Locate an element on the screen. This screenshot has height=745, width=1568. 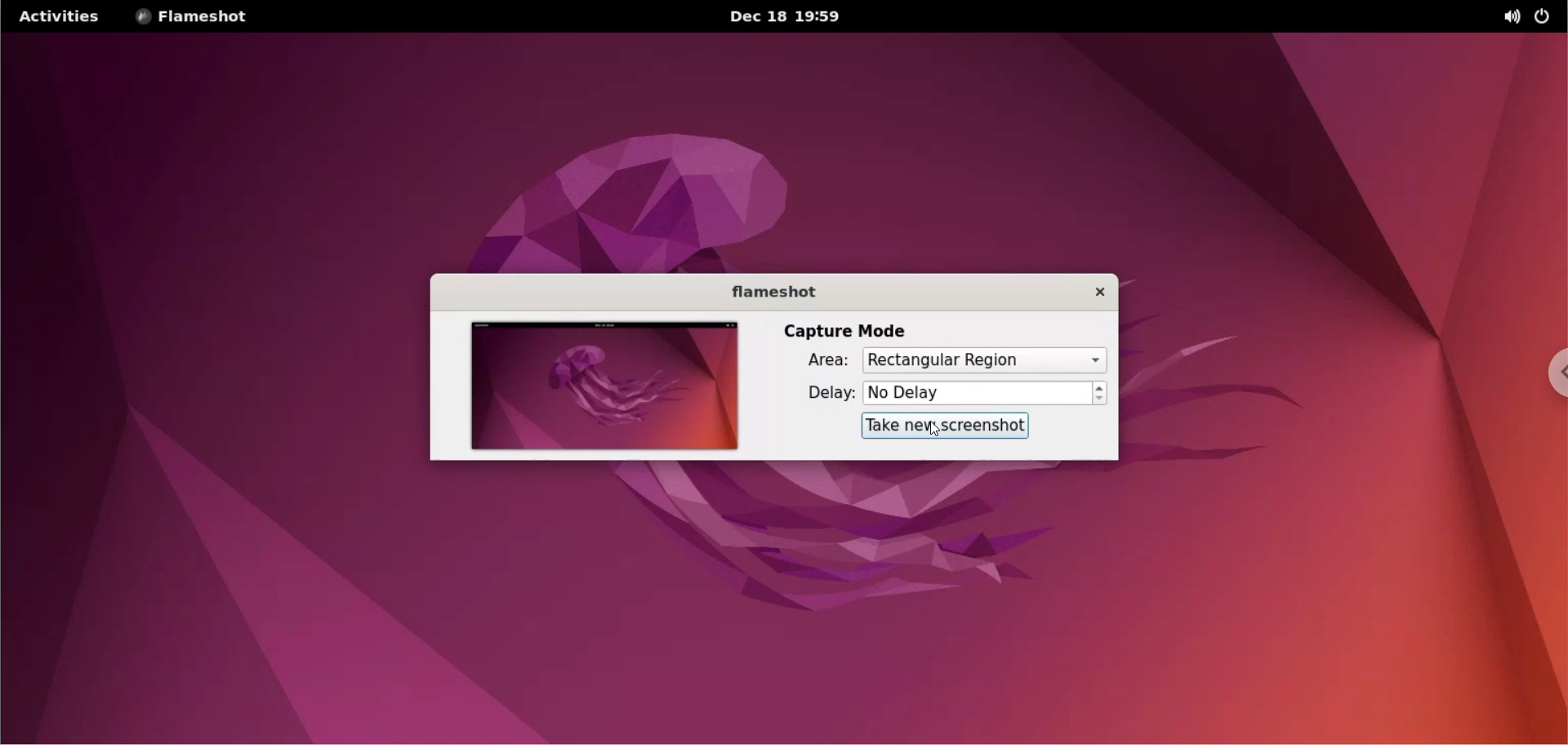
area label is located at coordinates (812, 361).